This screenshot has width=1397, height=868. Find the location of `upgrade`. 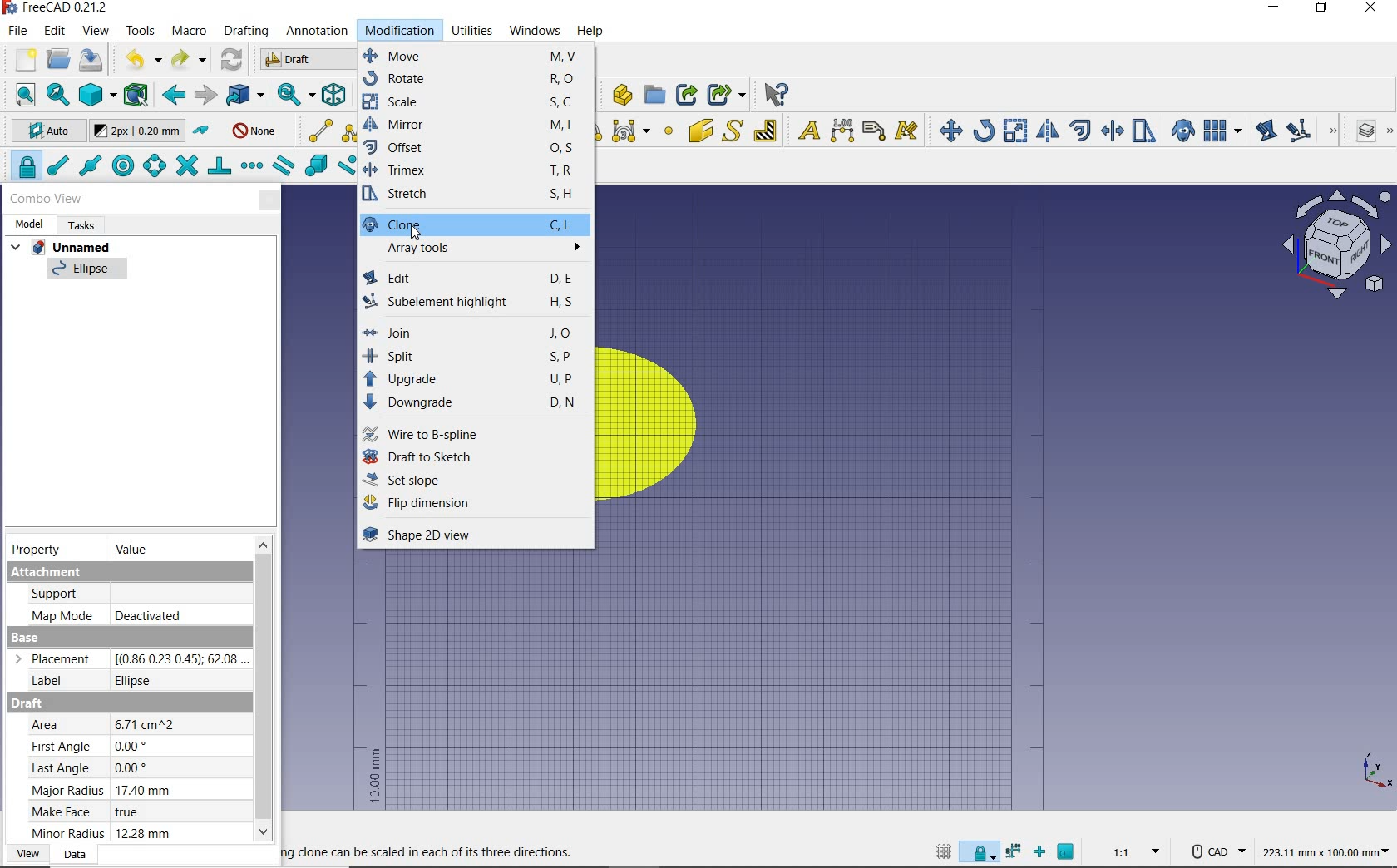

upgrade is located at coordinates (473, 381).